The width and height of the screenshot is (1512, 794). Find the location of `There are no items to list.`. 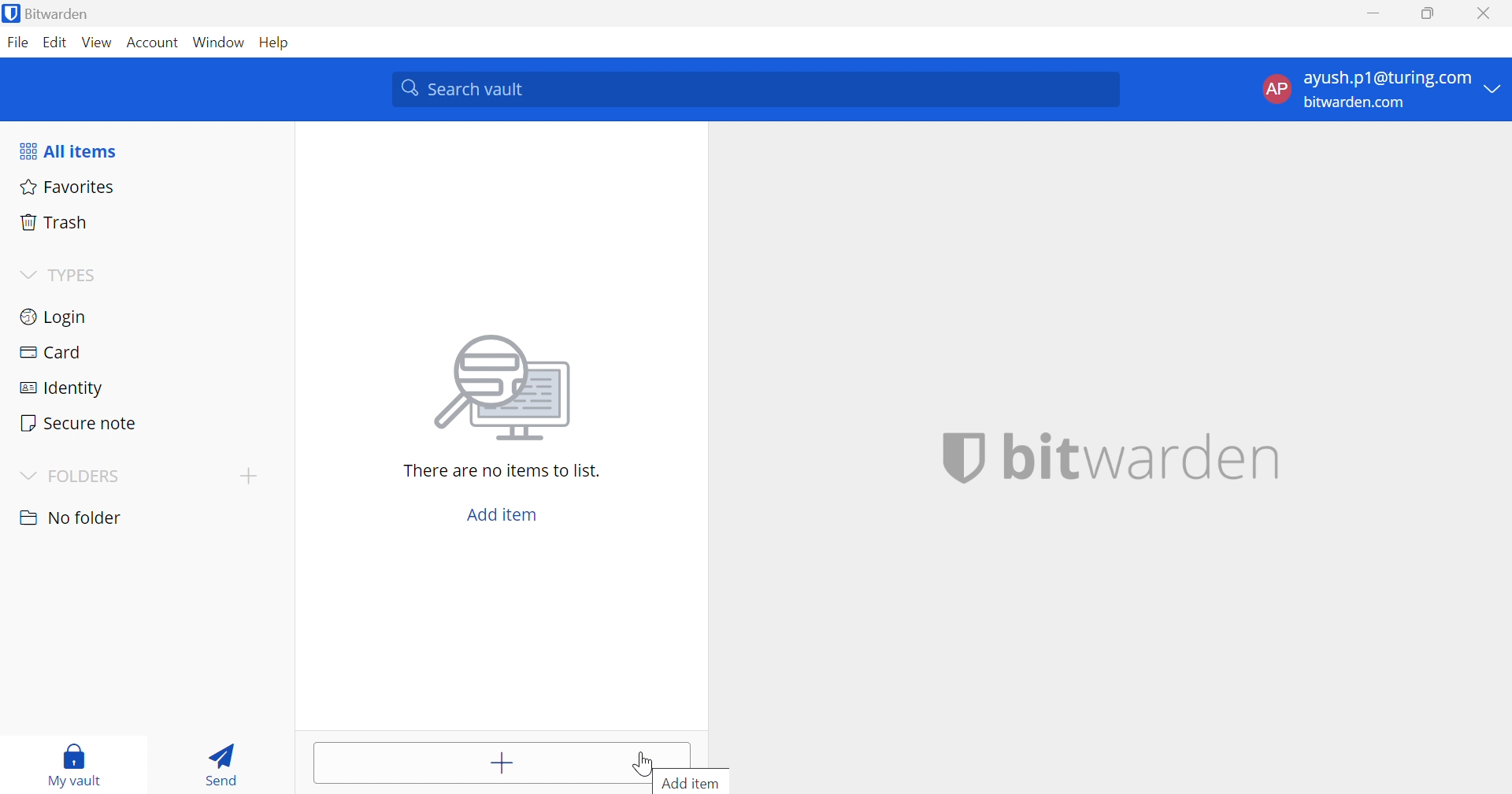

There are no items to list. is located at coordinates (502, 470).